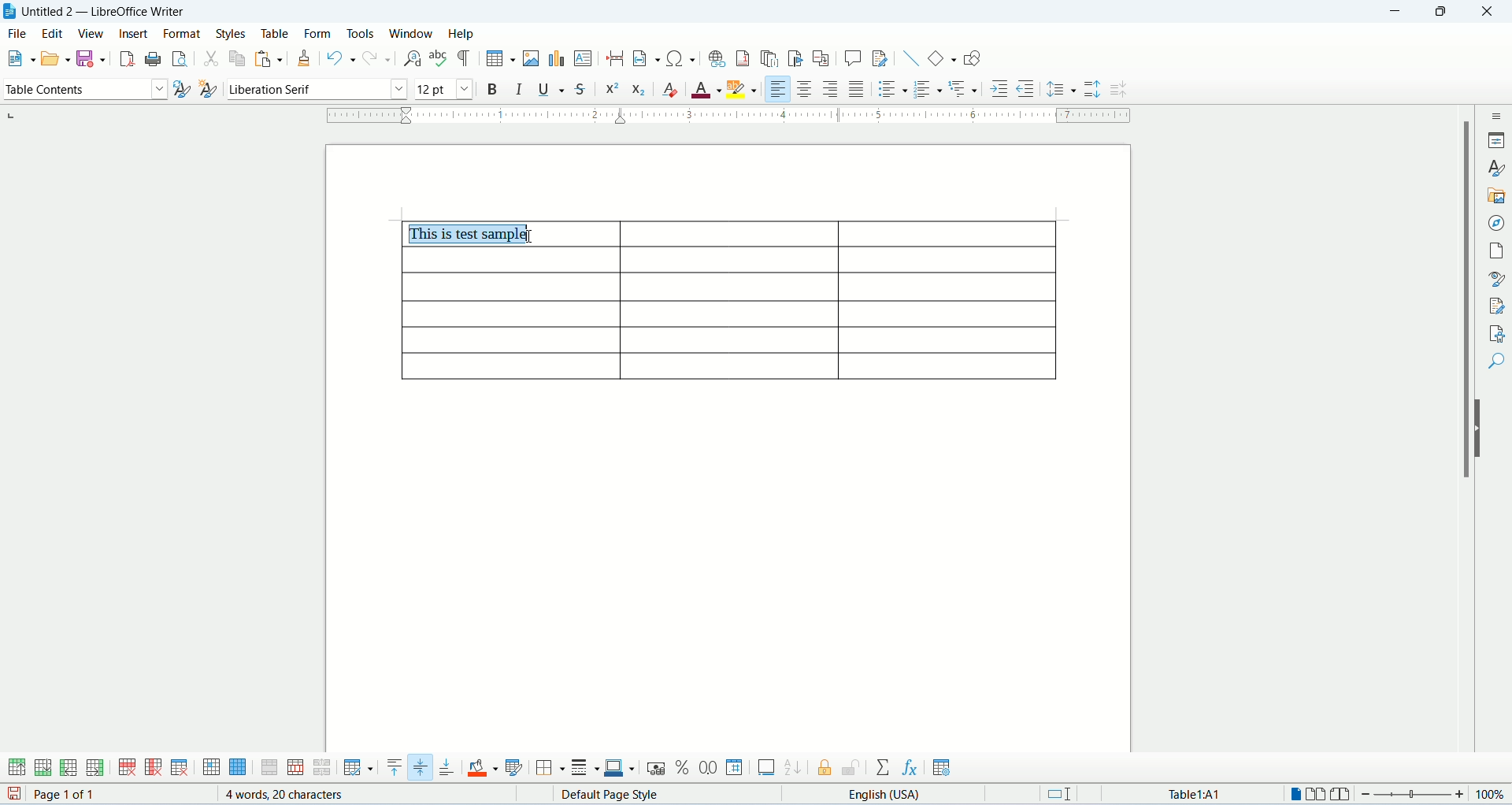 The height and width of the screenshot is (805, 1512). I want to click on print, so click(154, 59).